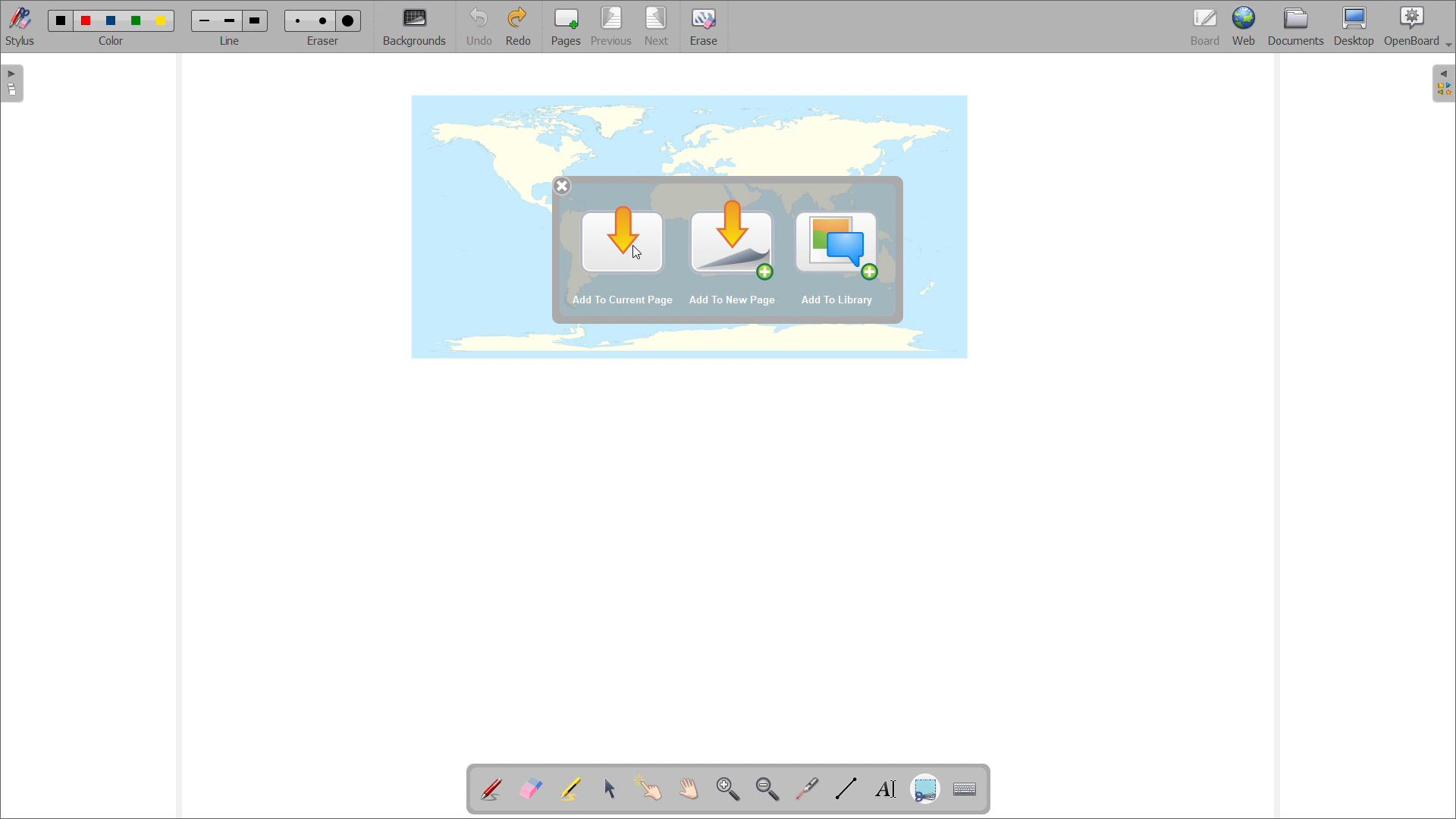  Describe the element at coordinates (730, 240) in the screenshot. I see `add to new page` at that location.